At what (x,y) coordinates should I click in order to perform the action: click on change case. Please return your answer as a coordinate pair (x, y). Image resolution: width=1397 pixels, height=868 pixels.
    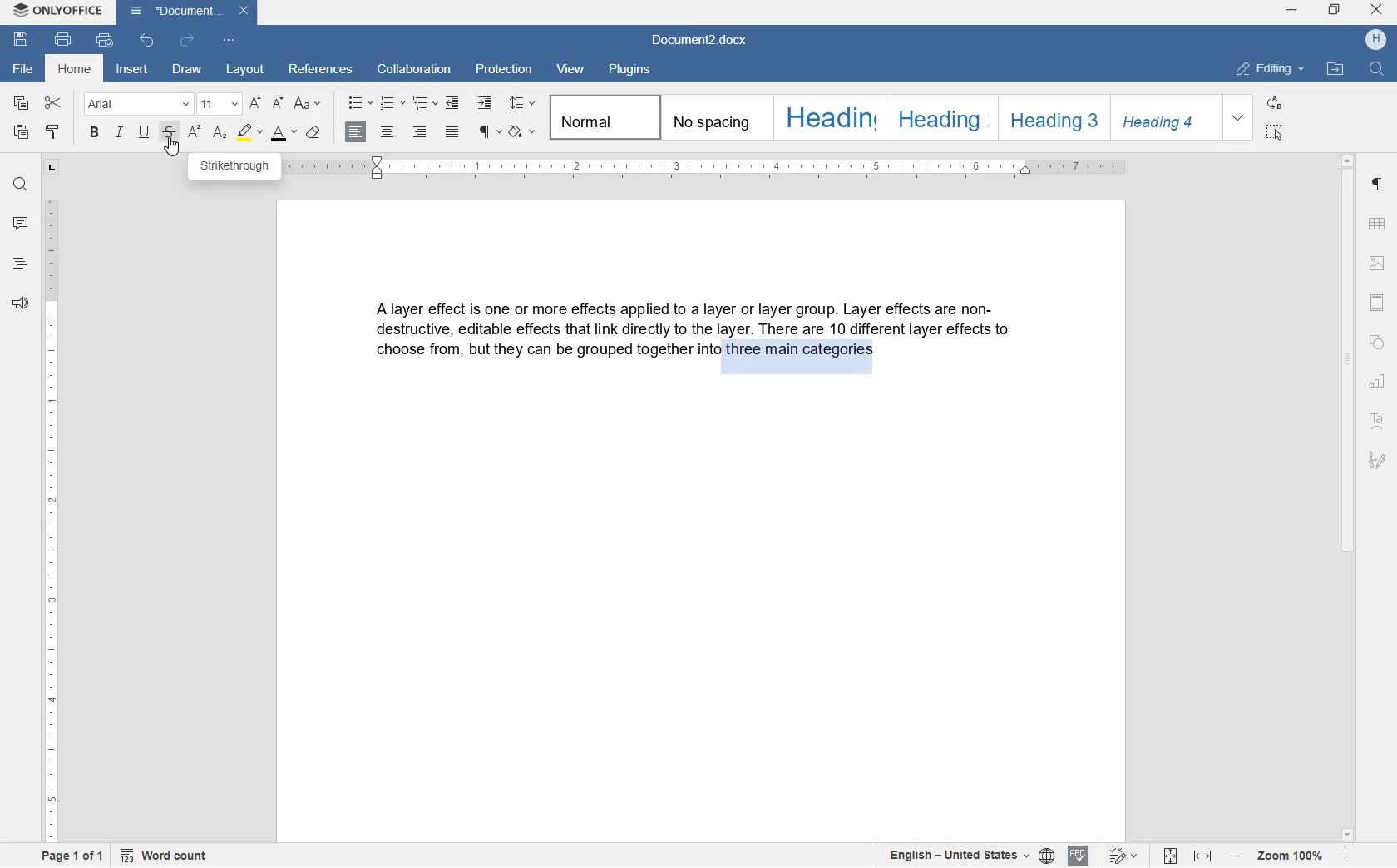
    Looking at the image, I should click on (308, 105).